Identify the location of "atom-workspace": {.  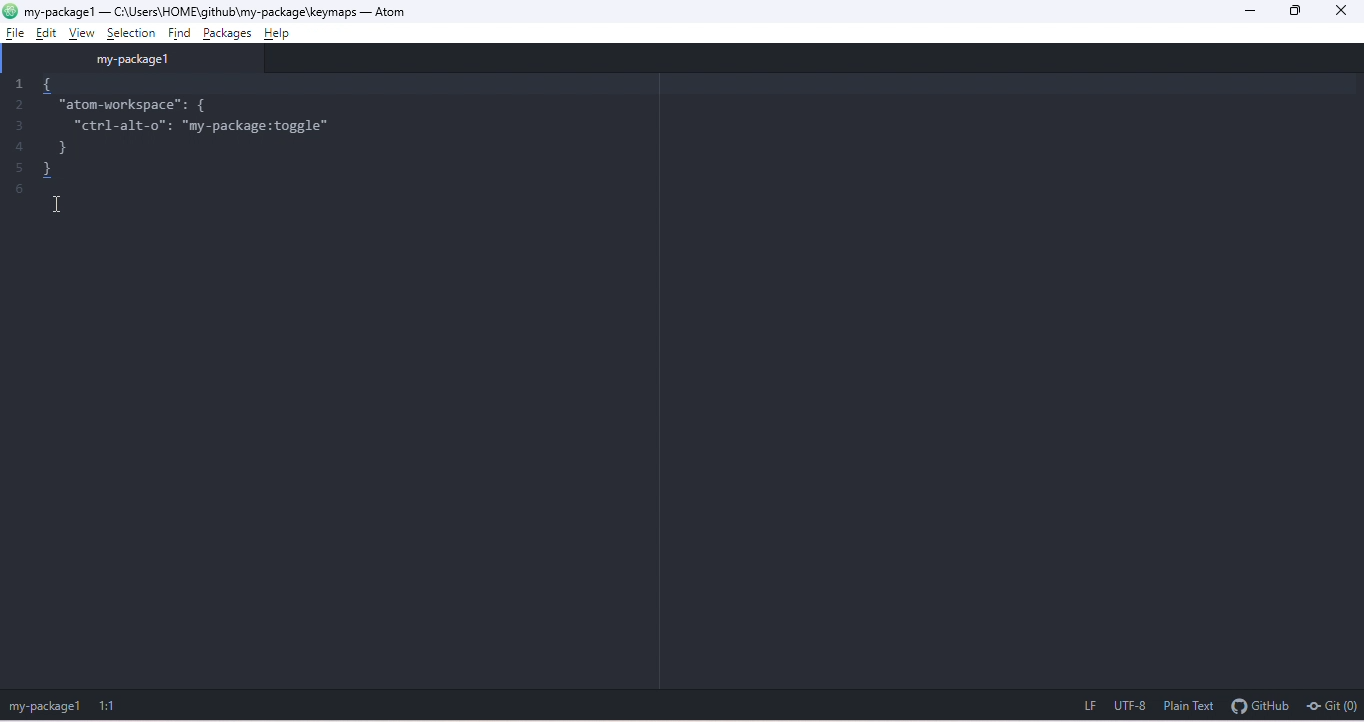
(172, 105).